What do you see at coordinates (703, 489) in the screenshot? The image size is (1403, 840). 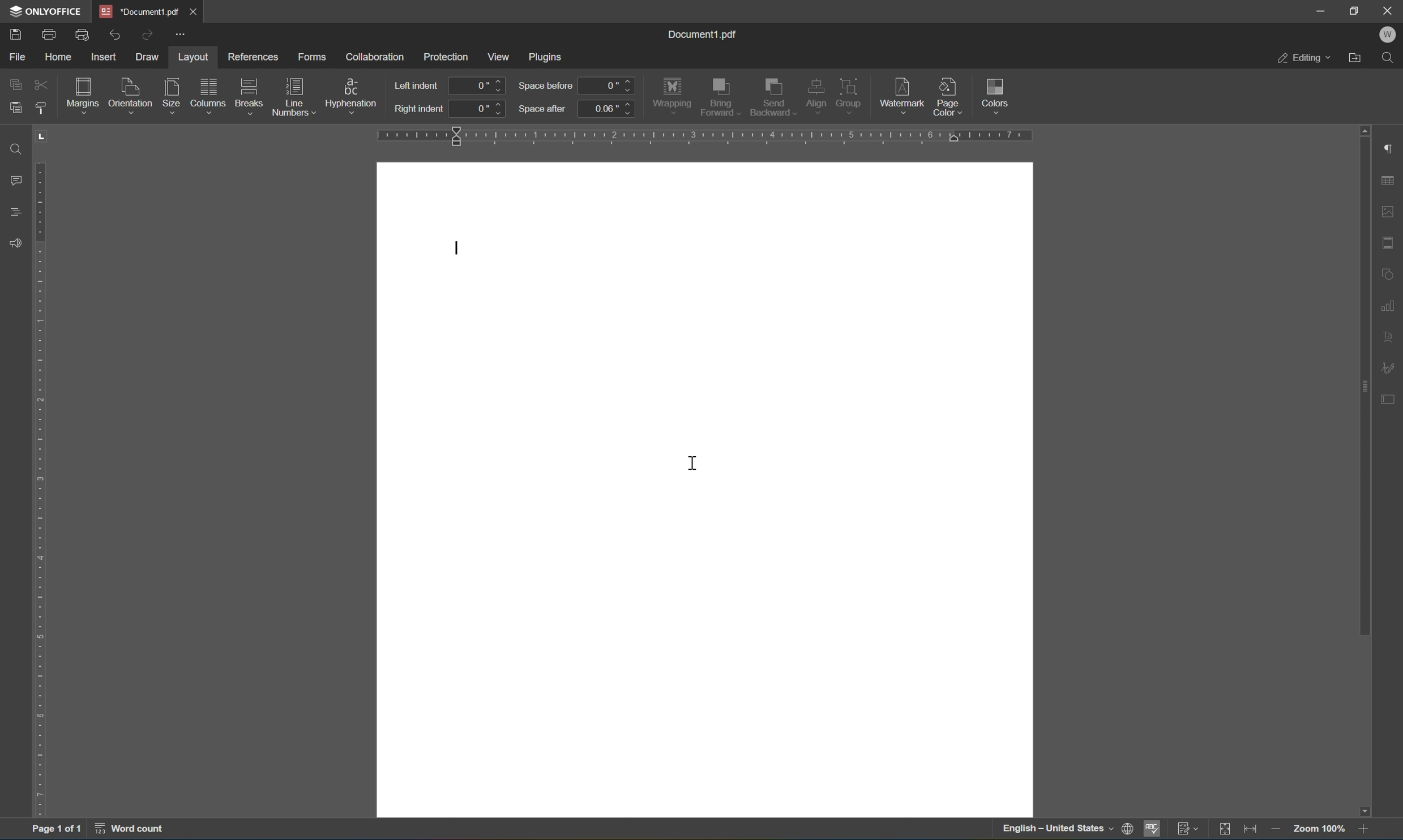 I see `Page` at bounding box center [703, 489].